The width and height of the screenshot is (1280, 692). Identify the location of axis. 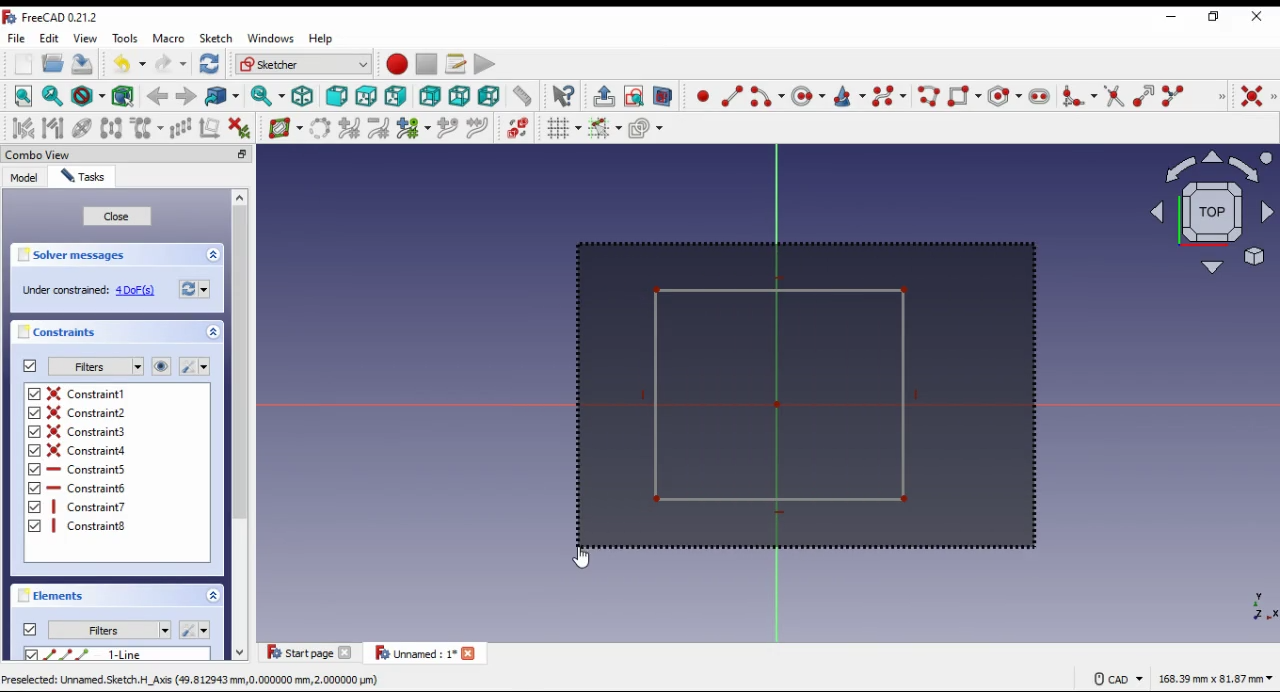
(1253, 603).